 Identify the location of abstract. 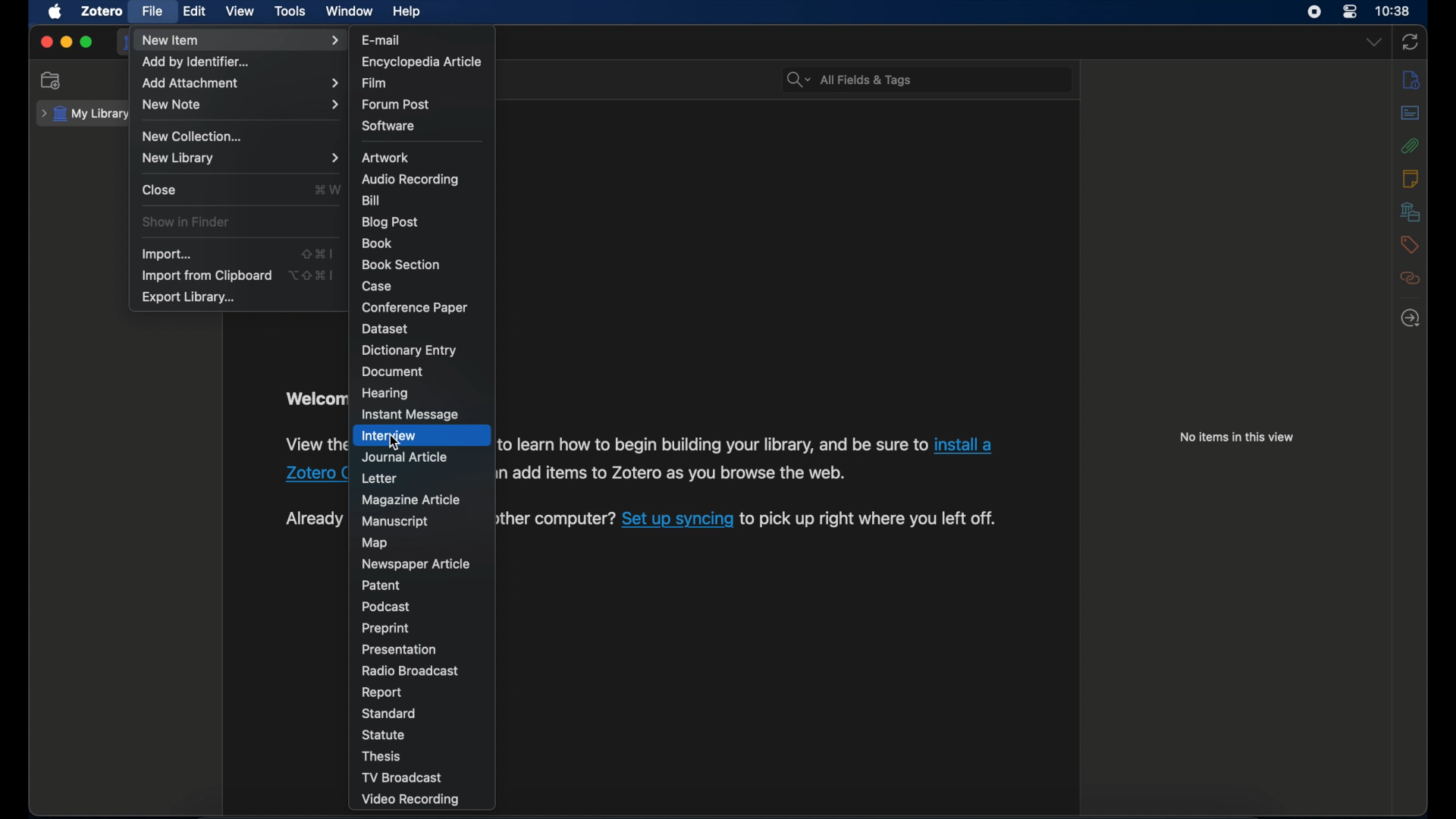
(1410, 113).